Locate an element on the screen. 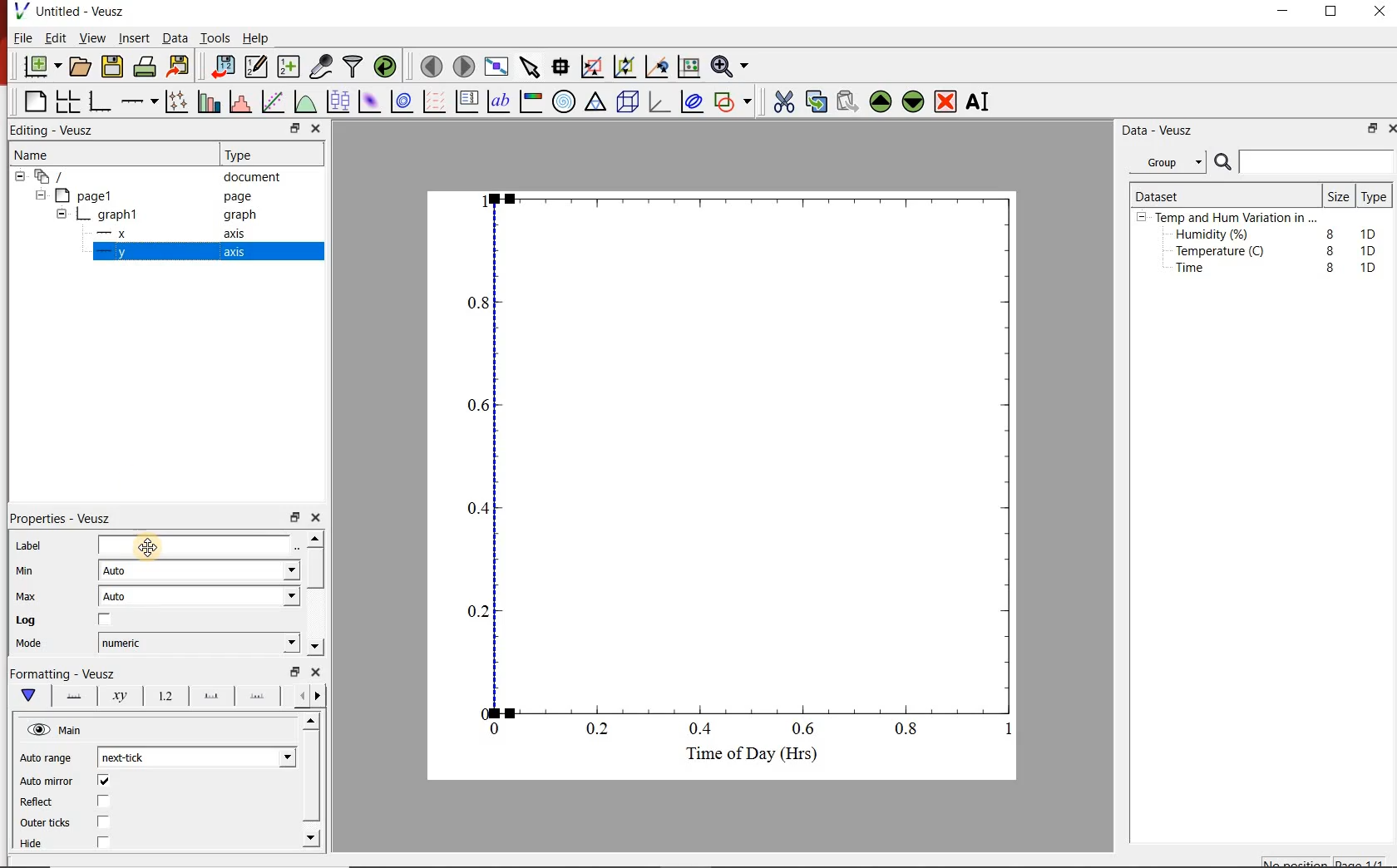 The height and width of the screenshot is (868, 1397). Paste widget from the clipboard is located at coordinates (848, 101).